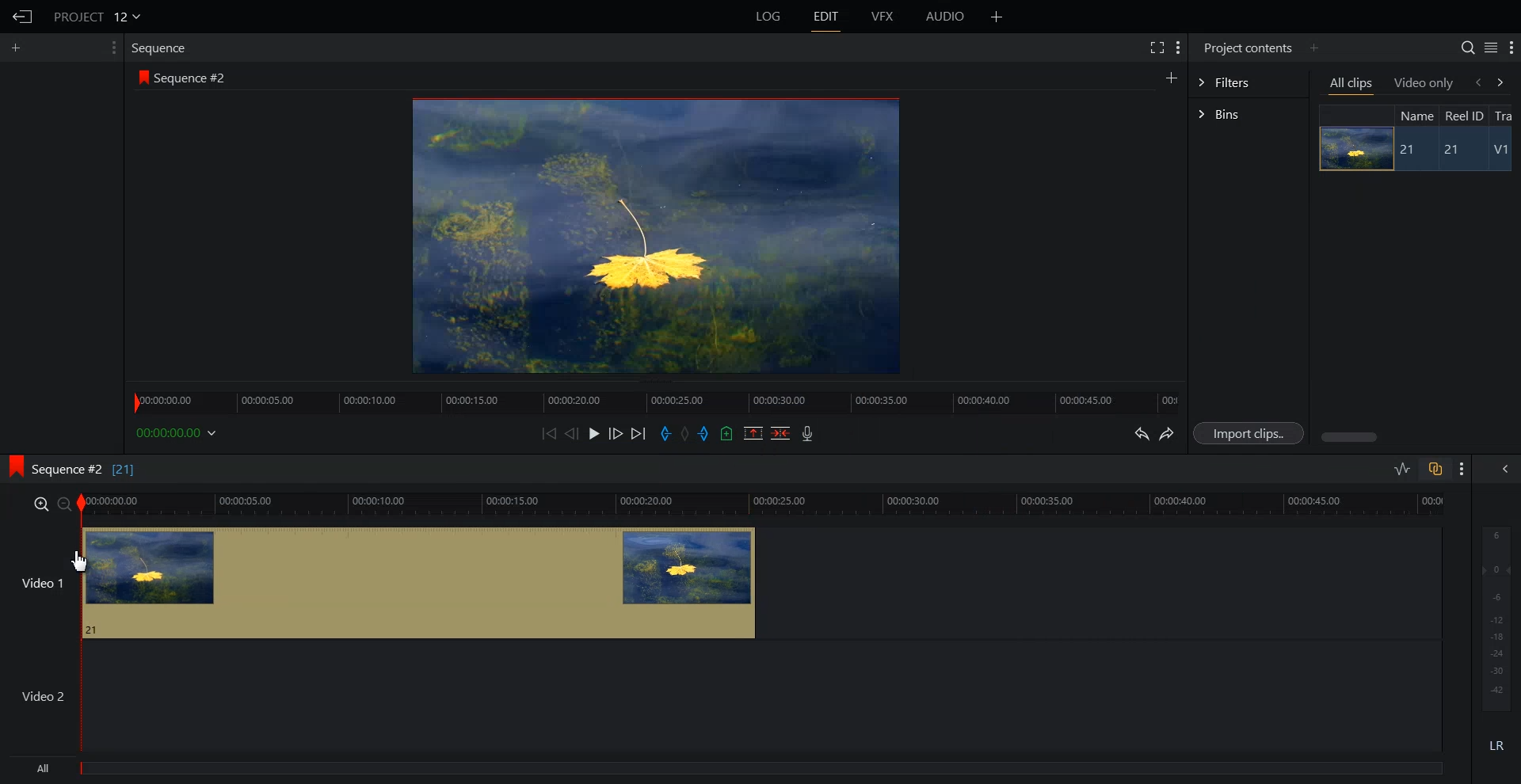  What do you see at coordinates (1139, 434) in the screenshot?
I see `Undo` at bounding box center [1139, 434].